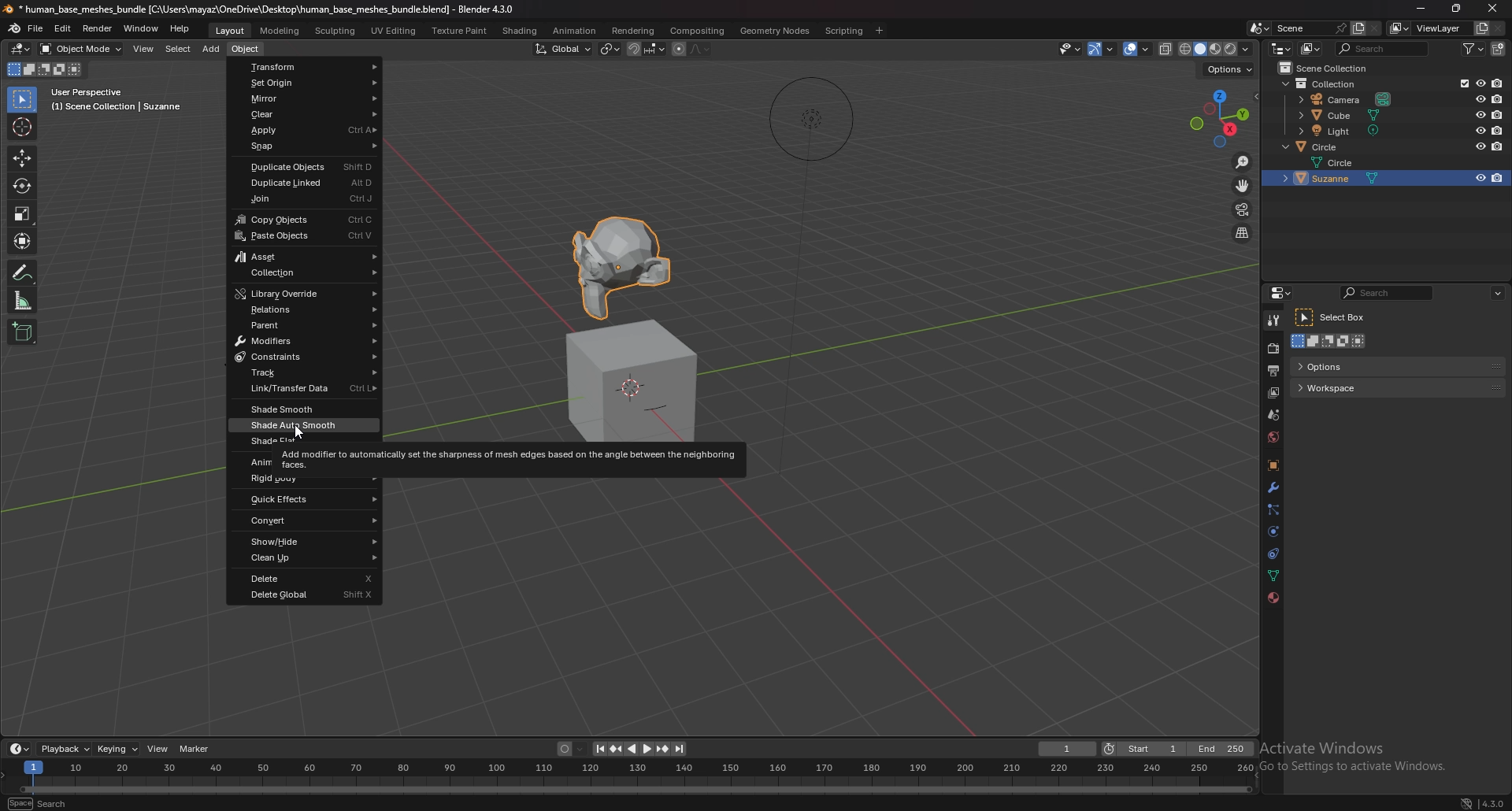  What do you see at coordinates (1473, 49) in the screenshot?
I see `filter` at bounding box center [1473, 49].